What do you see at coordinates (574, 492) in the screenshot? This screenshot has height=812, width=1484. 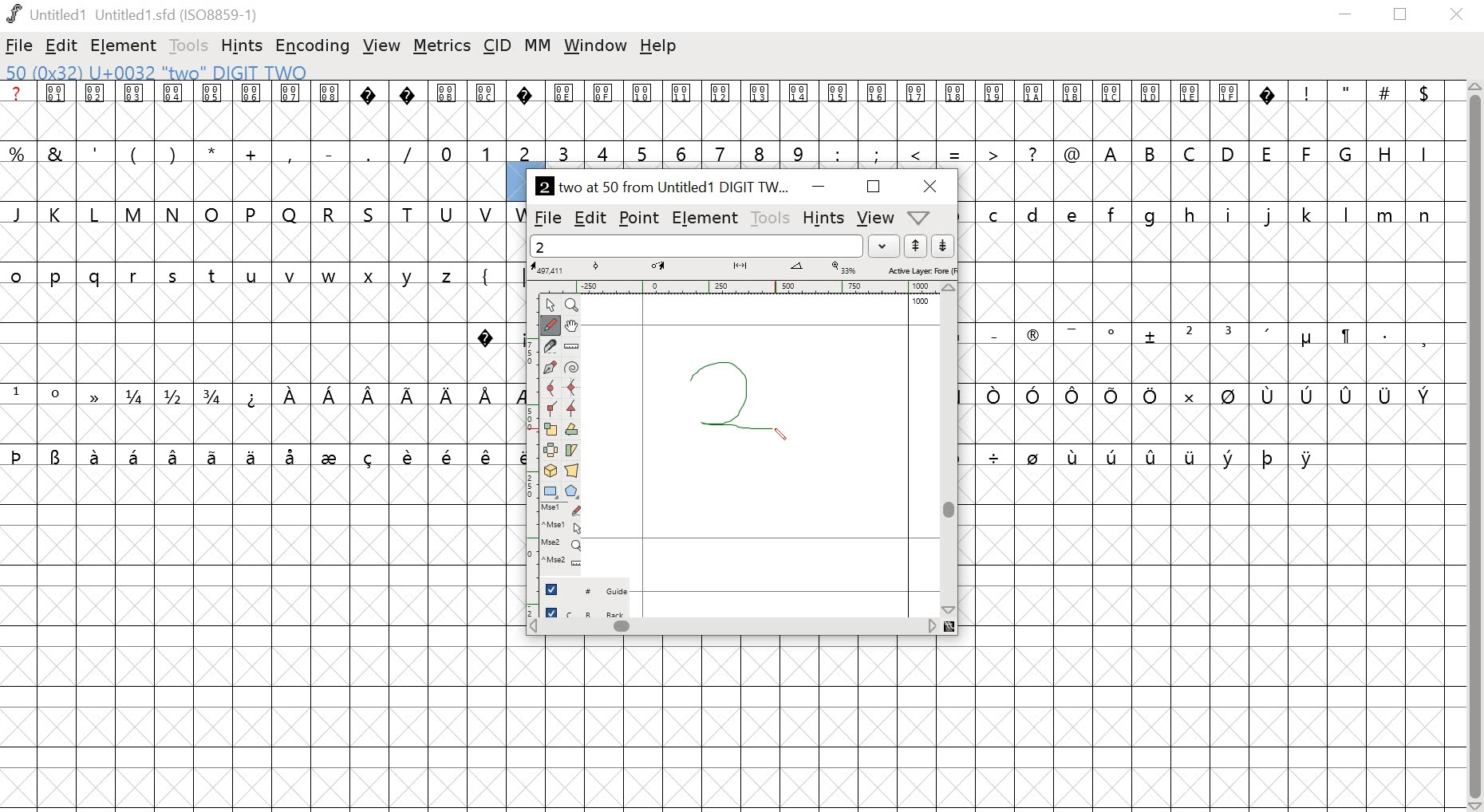 I see `polygon/star` at bounding box center [574, 492].